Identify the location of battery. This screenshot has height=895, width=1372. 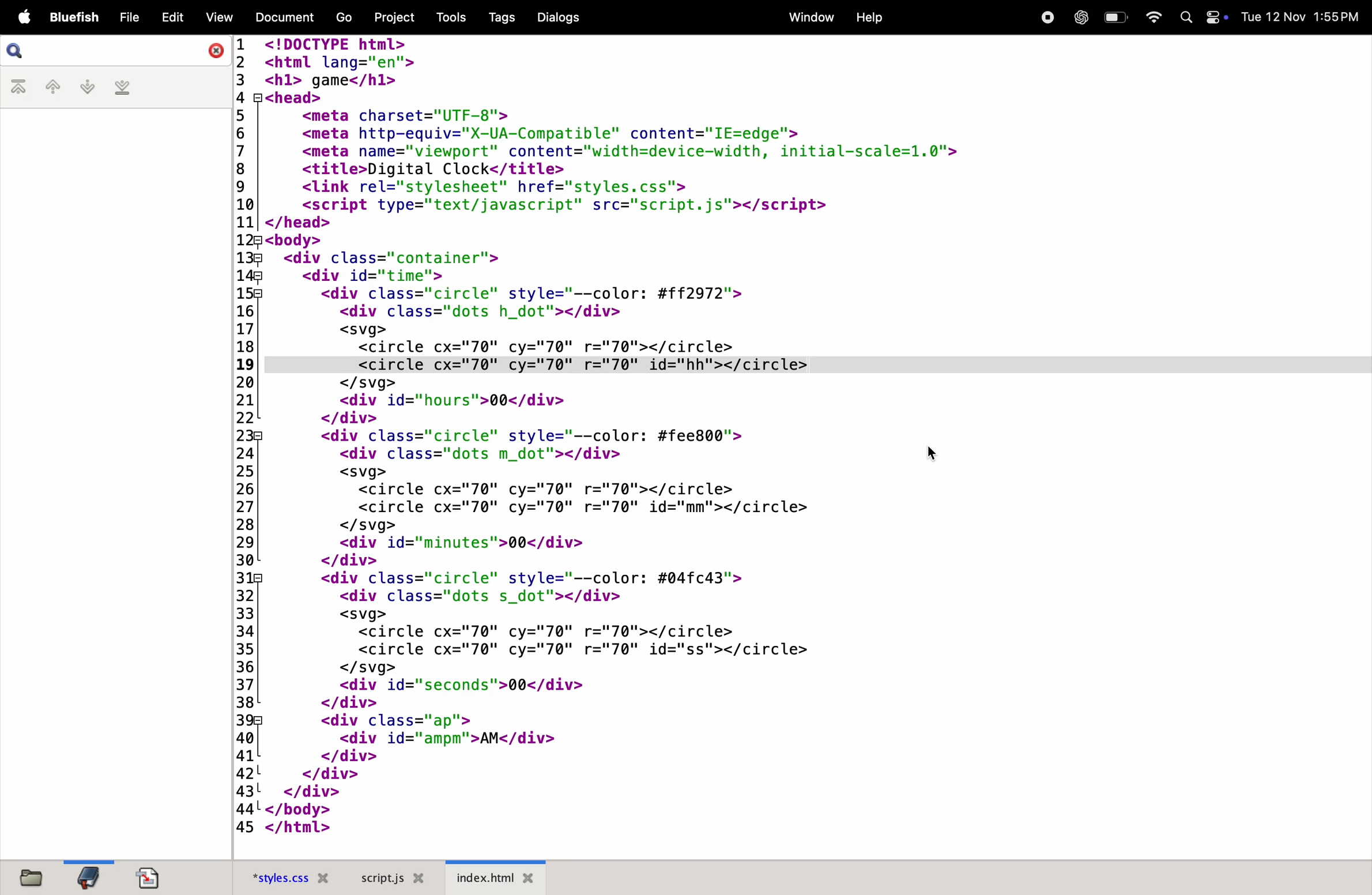
(1113, 17).